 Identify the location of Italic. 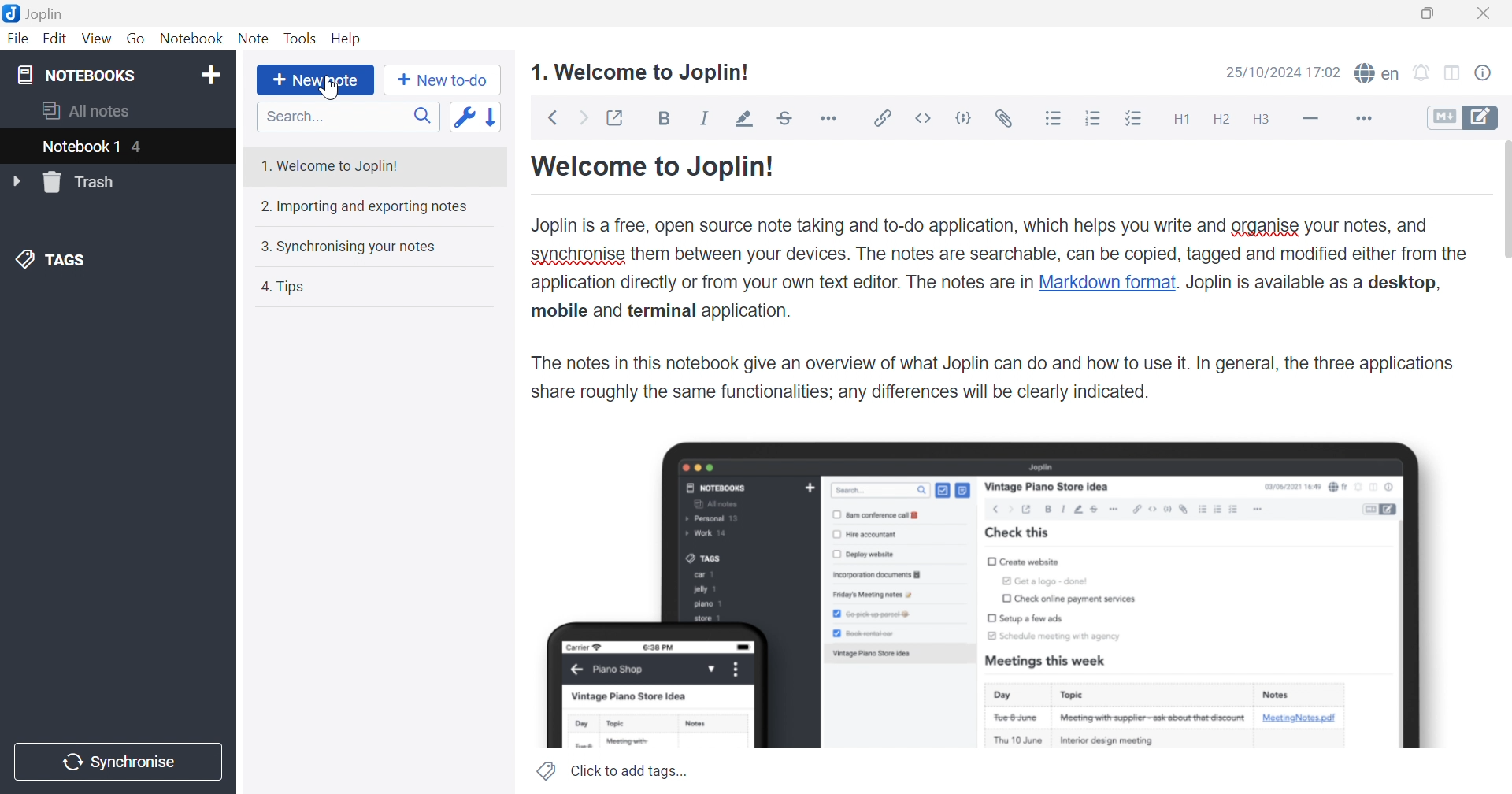
(706, 118).